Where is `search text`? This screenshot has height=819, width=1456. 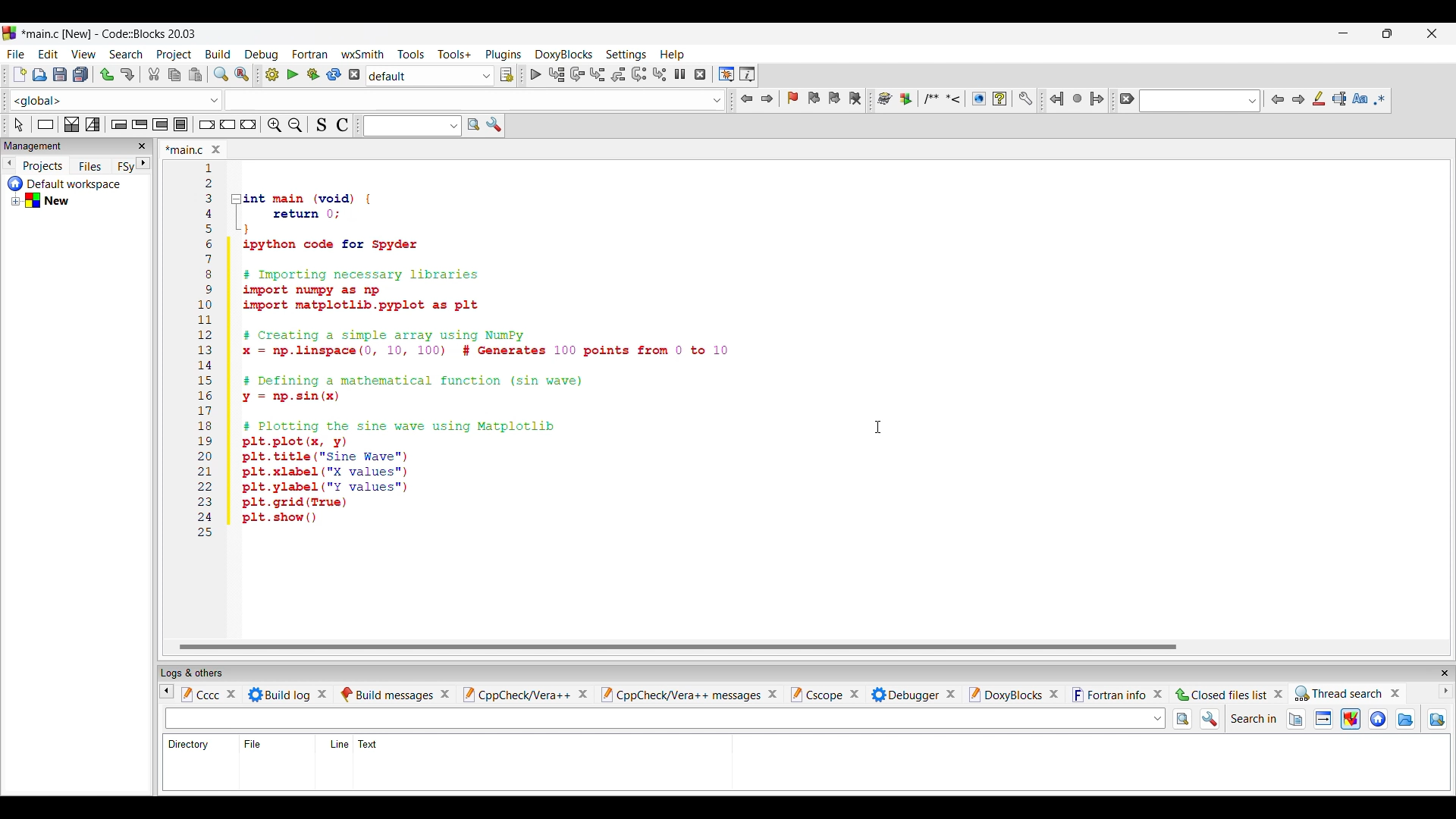
search text is located at coordinates (664, 720).